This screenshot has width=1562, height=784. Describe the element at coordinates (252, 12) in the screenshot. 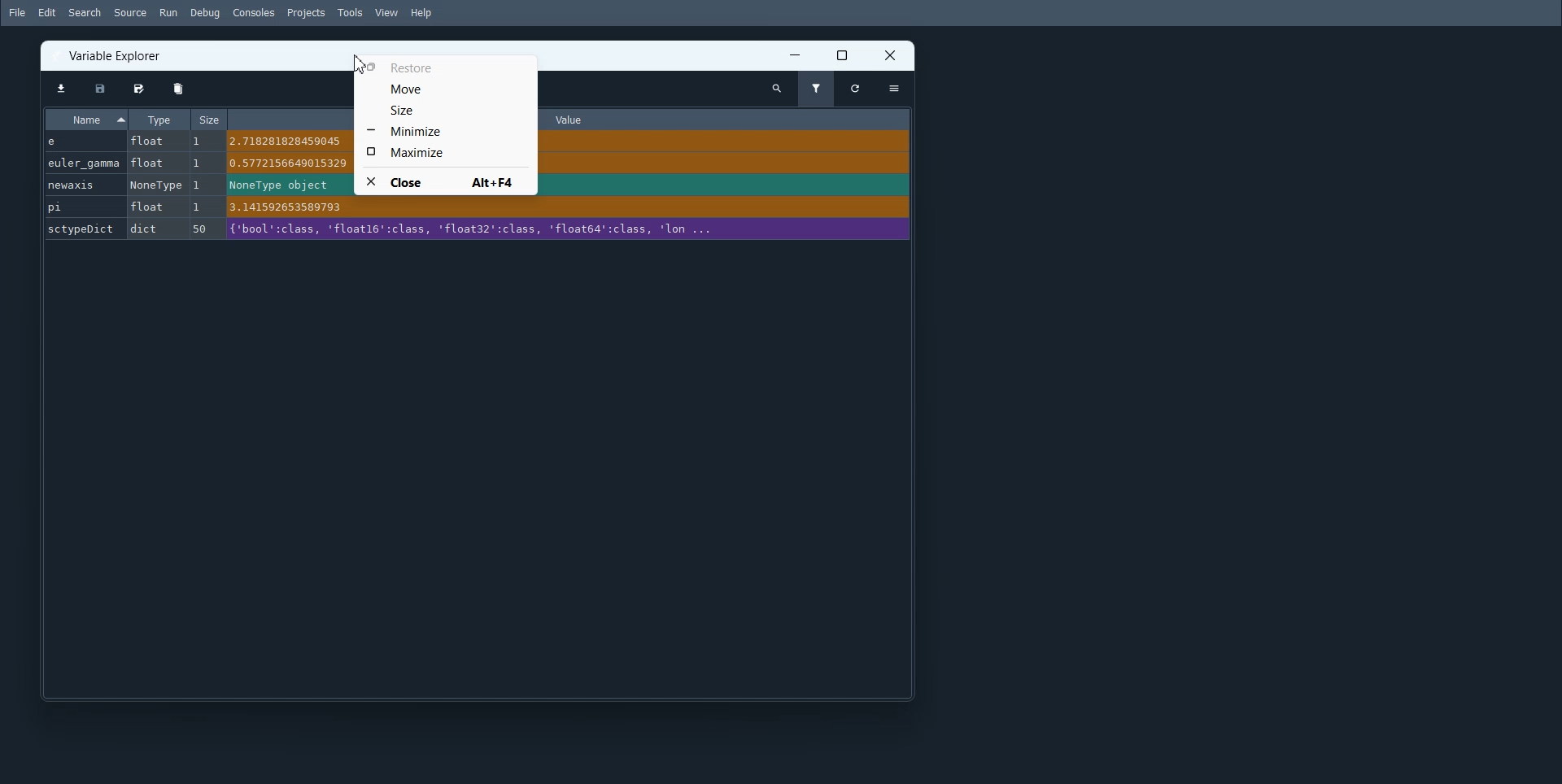

I see `Consoles` at that location.